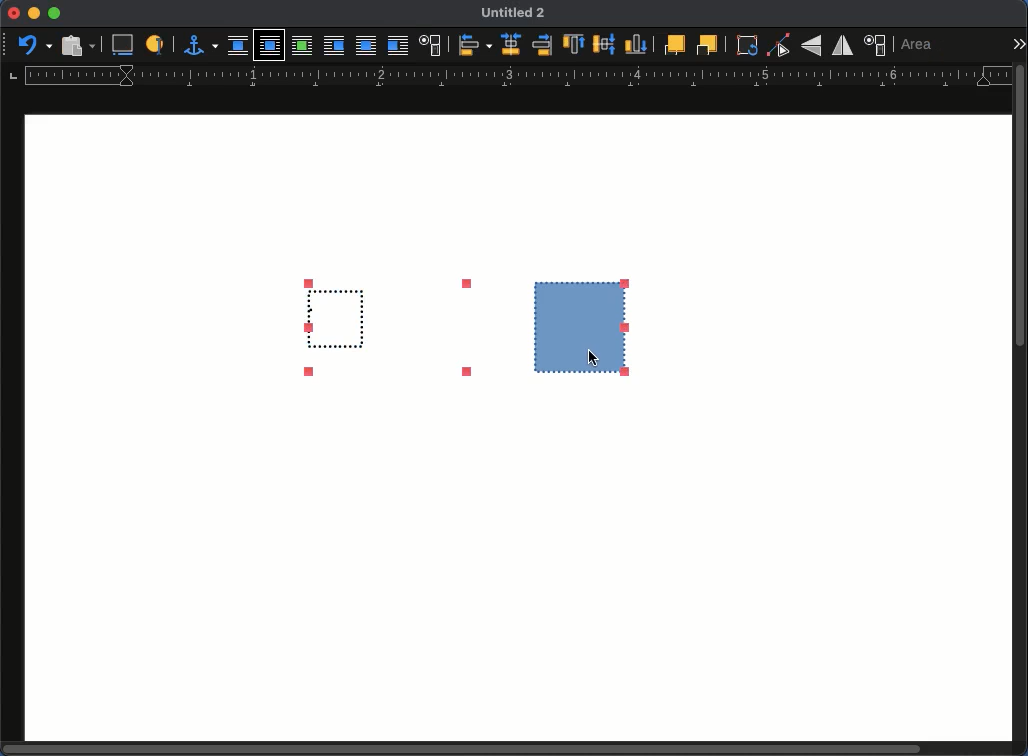 Image resolution: width=1028 pixels, height=756 pixels. What do you see at coordinates (238, 45) in the screenshot?
I see `none` at bounding box center [238, 45].